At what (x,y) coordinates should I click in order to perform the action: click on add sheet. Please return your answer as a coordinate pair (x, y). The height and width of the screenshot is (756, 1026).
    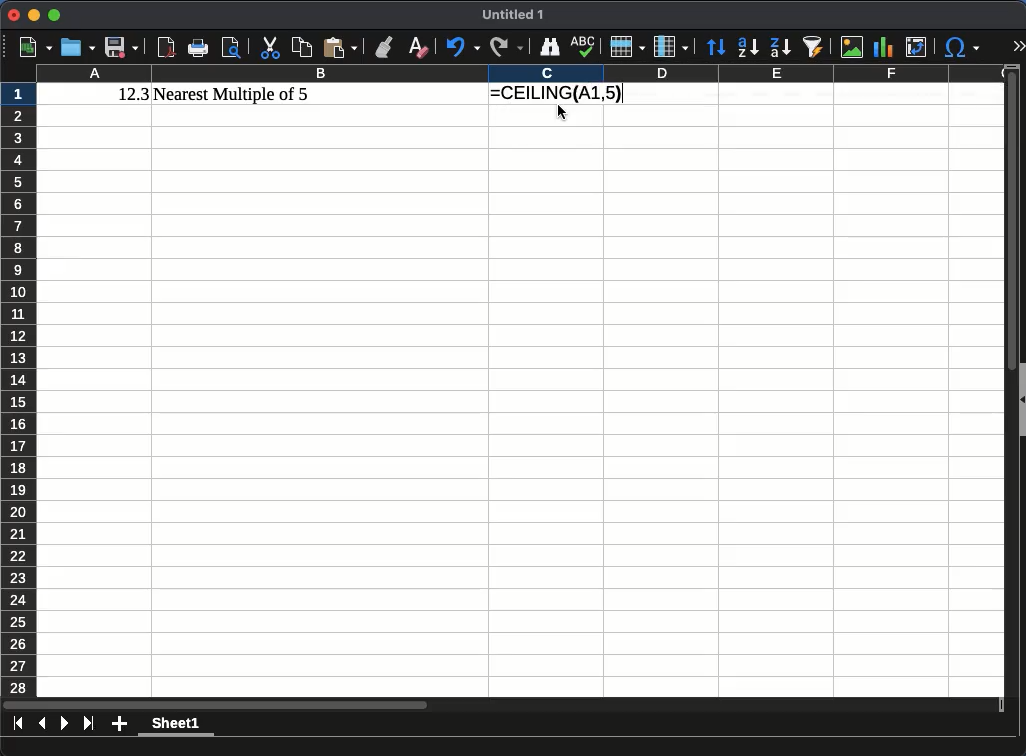
    Looking at the image, I should click on (119, 724).